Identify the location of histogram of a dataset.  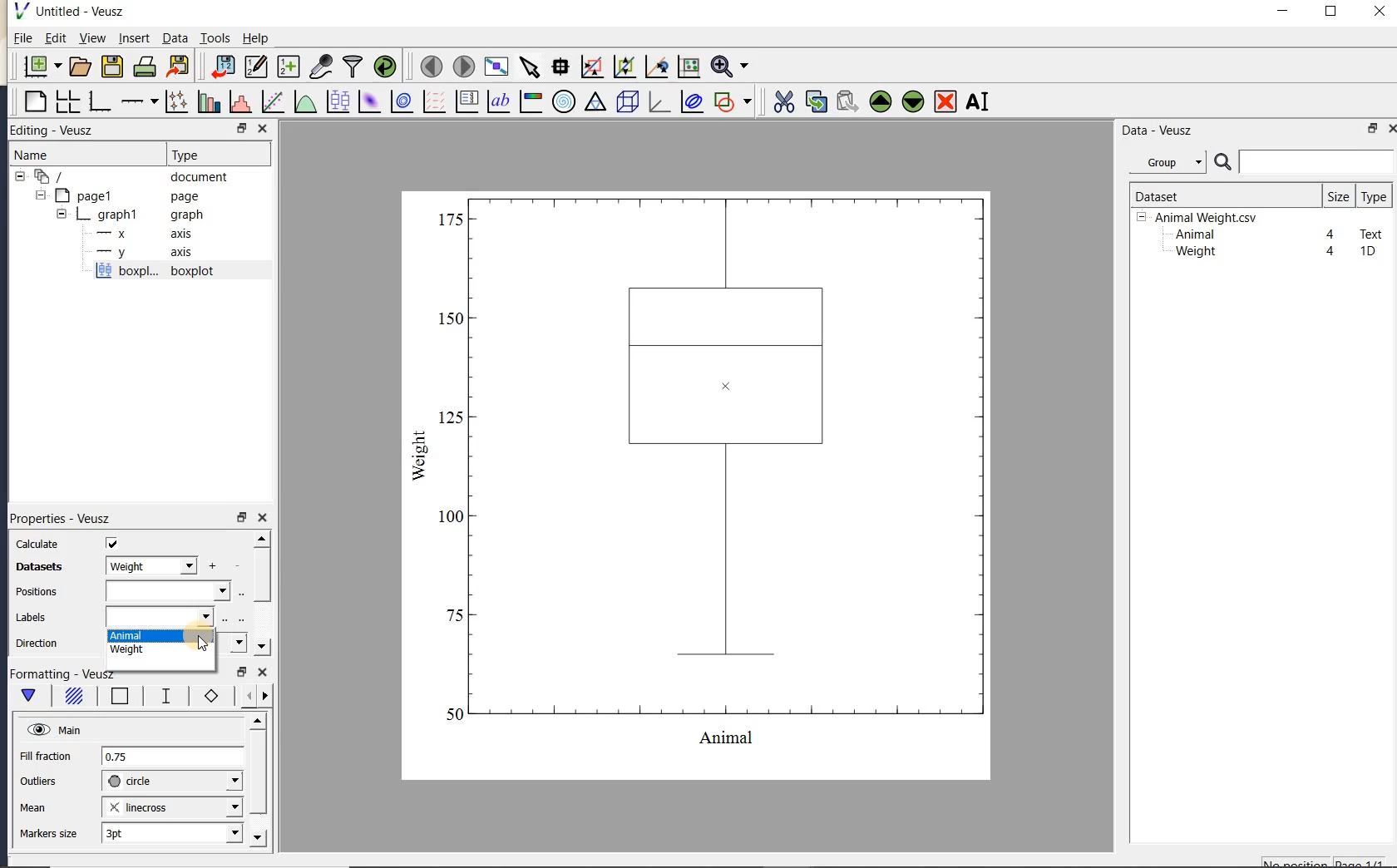
(239, 101).